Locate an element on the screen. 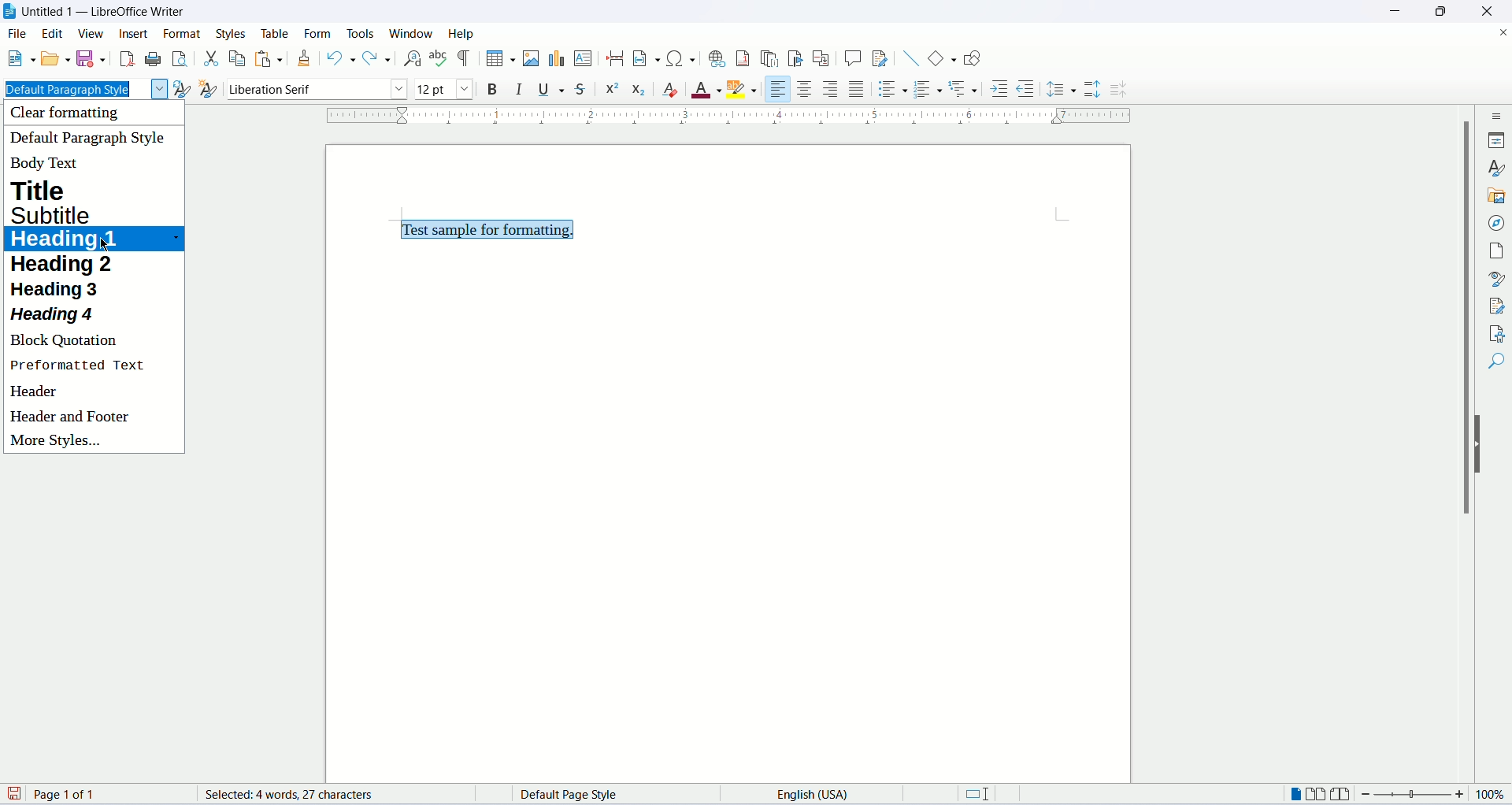 Image resolution: width=1512 pixels, height=805 pixels. find and replace is located at coordinates (409, 58).